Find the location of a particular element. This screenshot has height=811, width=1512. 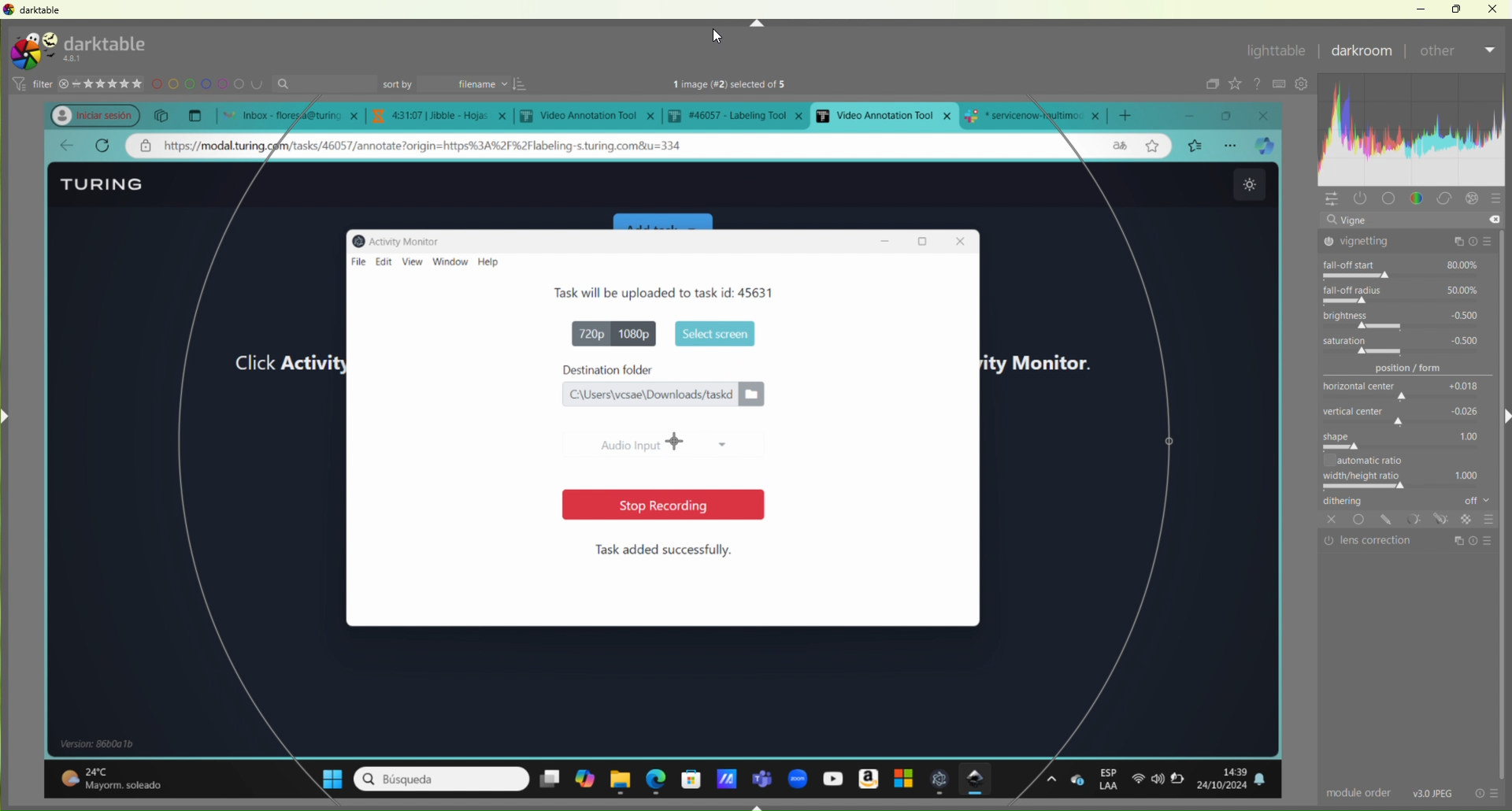

fall-off start  is located at coordinates (1407, 269).